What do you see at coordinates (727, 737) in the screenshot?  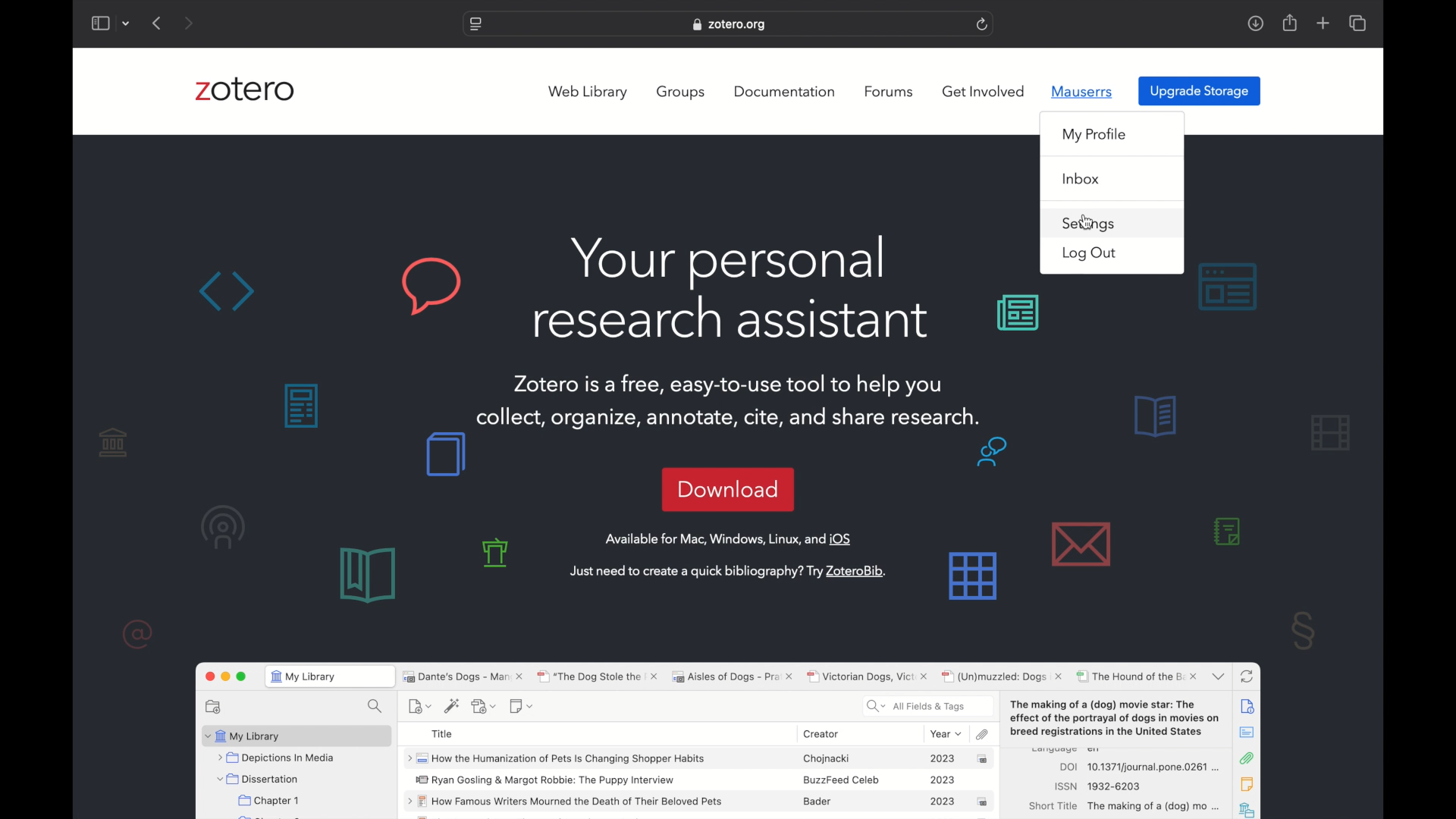 I see `zotero software preview` at bounding box center [727, 737].